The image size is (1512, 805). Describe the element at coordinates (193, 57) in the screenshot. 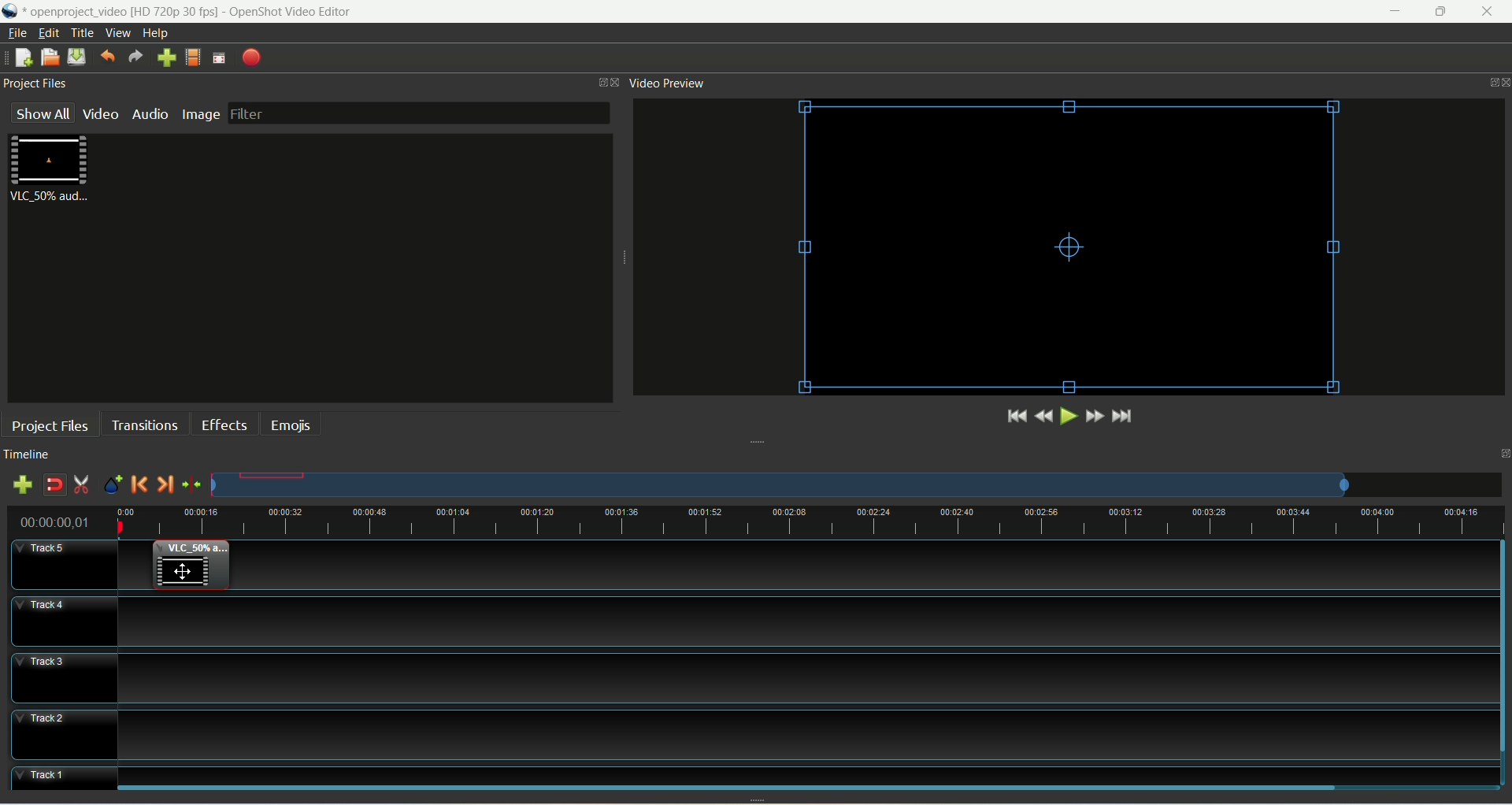

I see `choose profile` at that location.